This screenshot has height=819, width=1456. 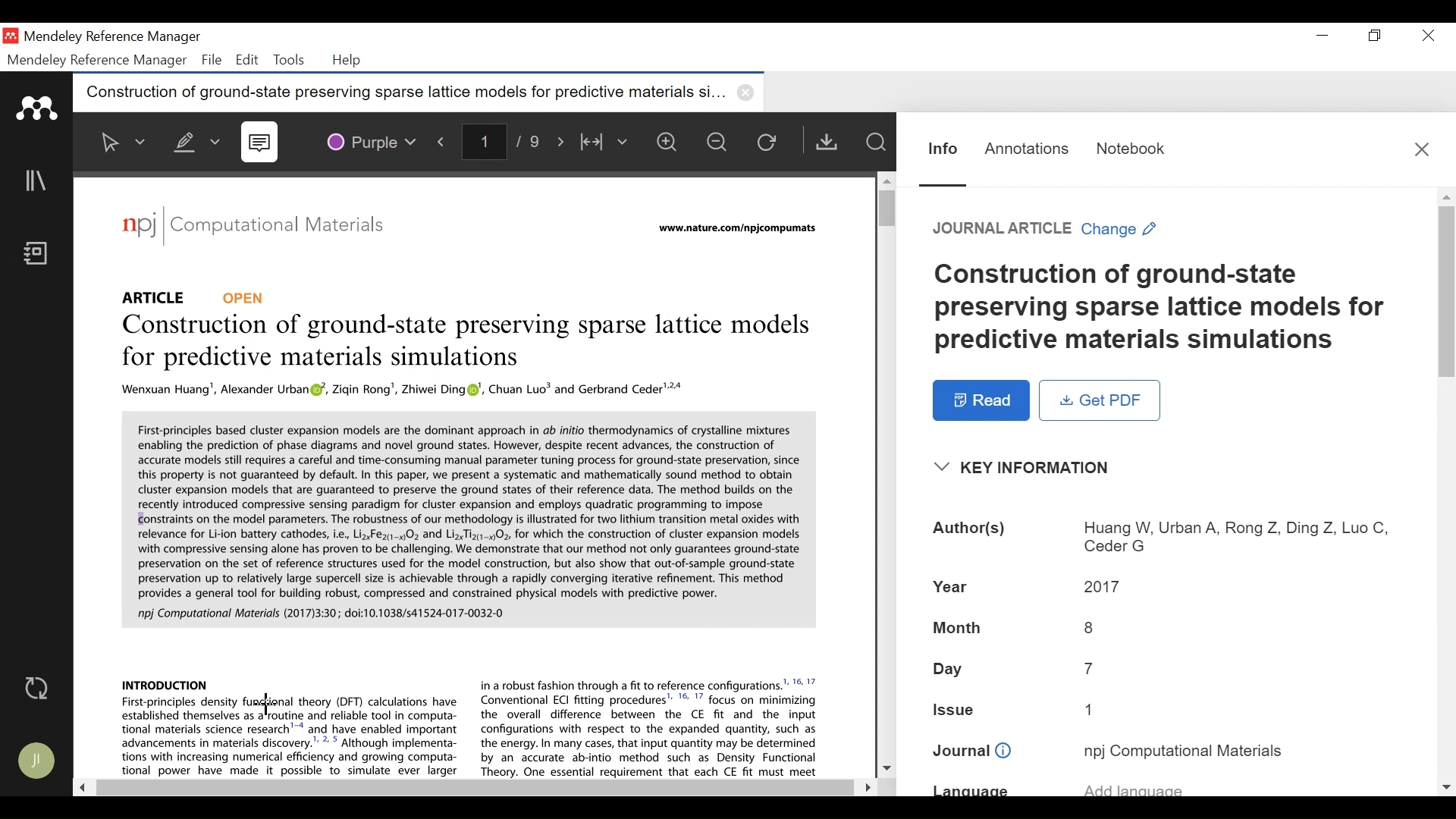 I want to click on Journal, so click(x=1167, y=751).